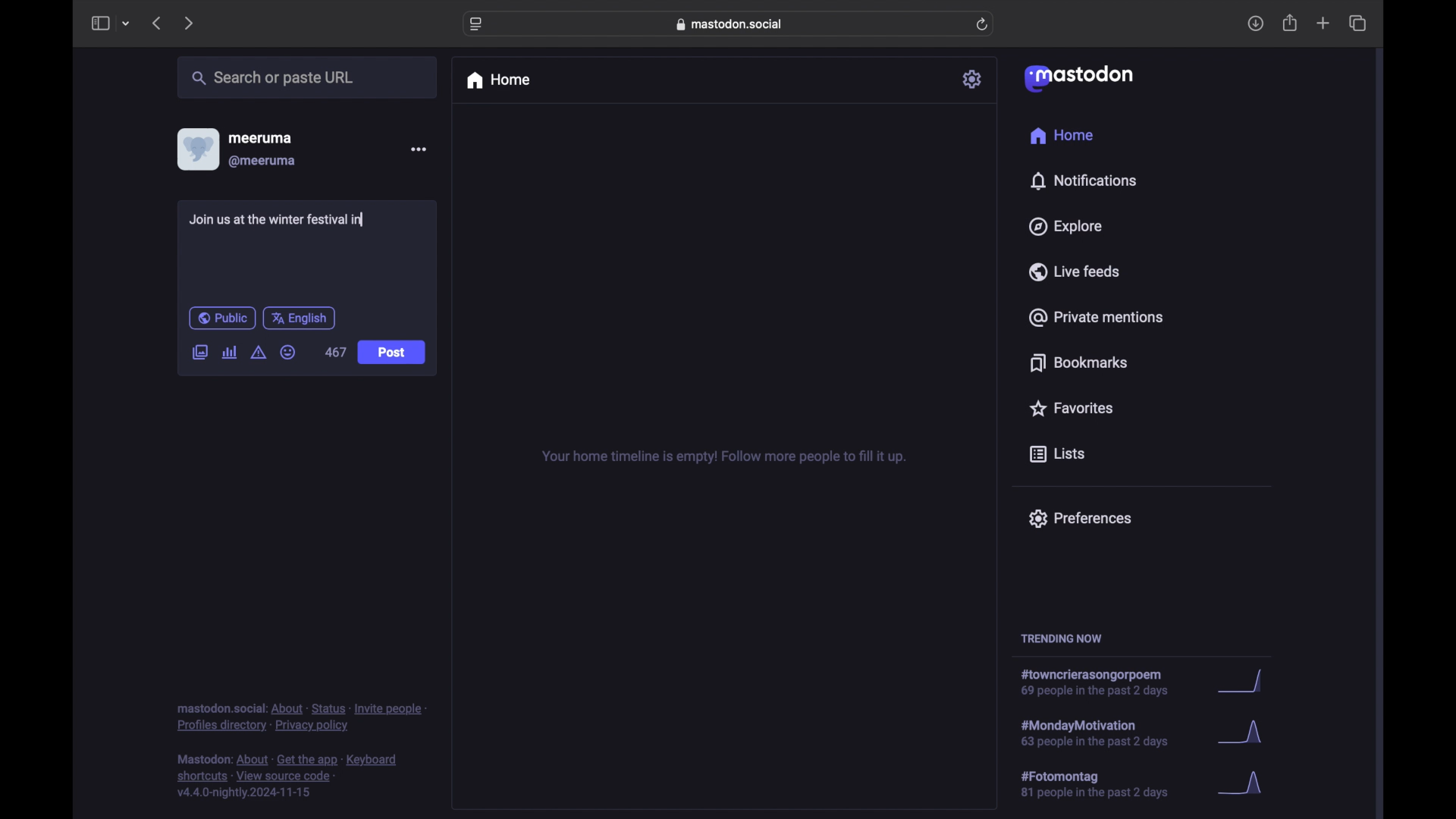 The image size is (1456, 819). What do you see at coordinates (302, 717) in the screenshot?
I see `footnote` at bounding box center [302, 717].